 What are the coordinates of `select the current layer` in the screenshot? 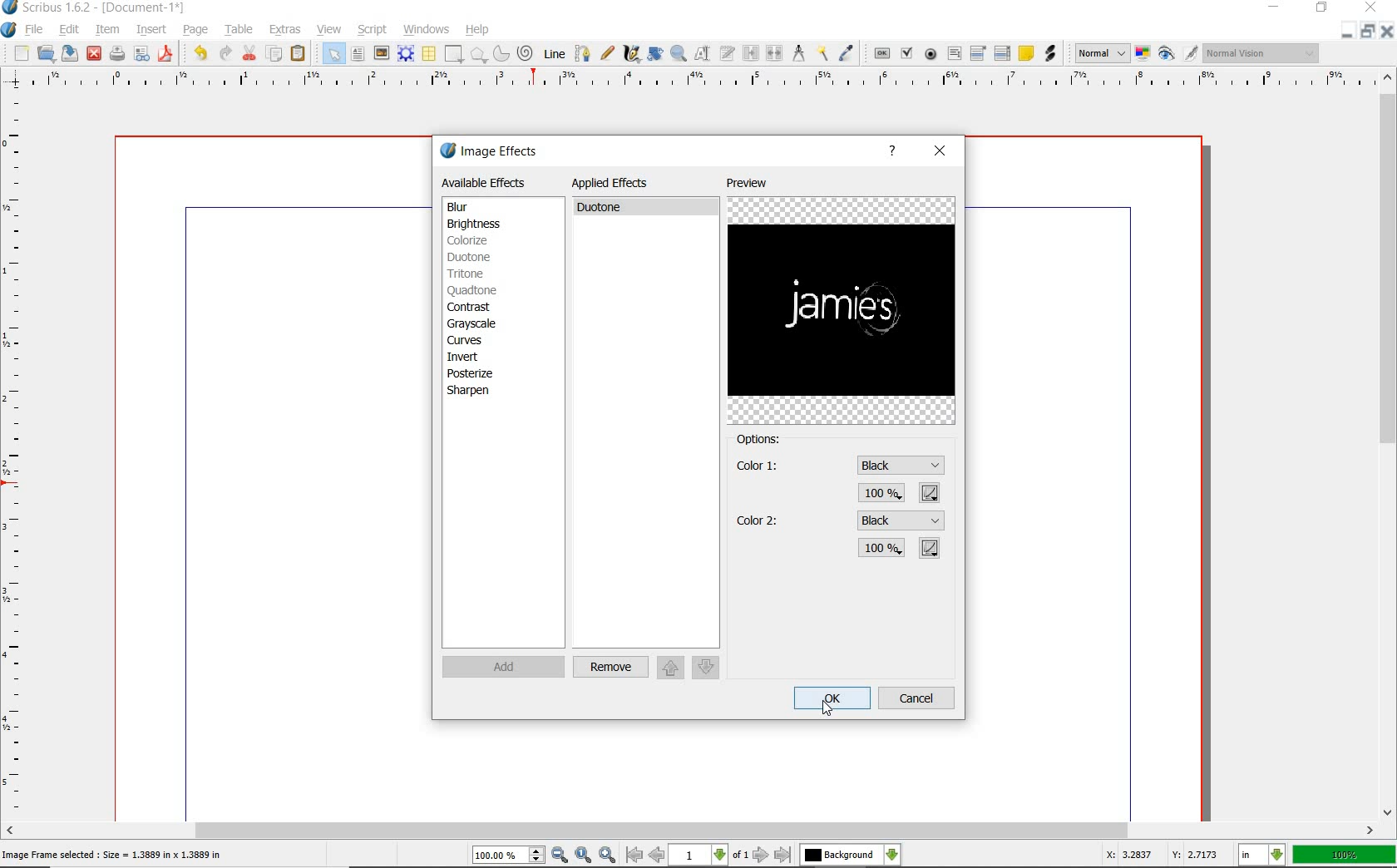 It's located at (850, 856).